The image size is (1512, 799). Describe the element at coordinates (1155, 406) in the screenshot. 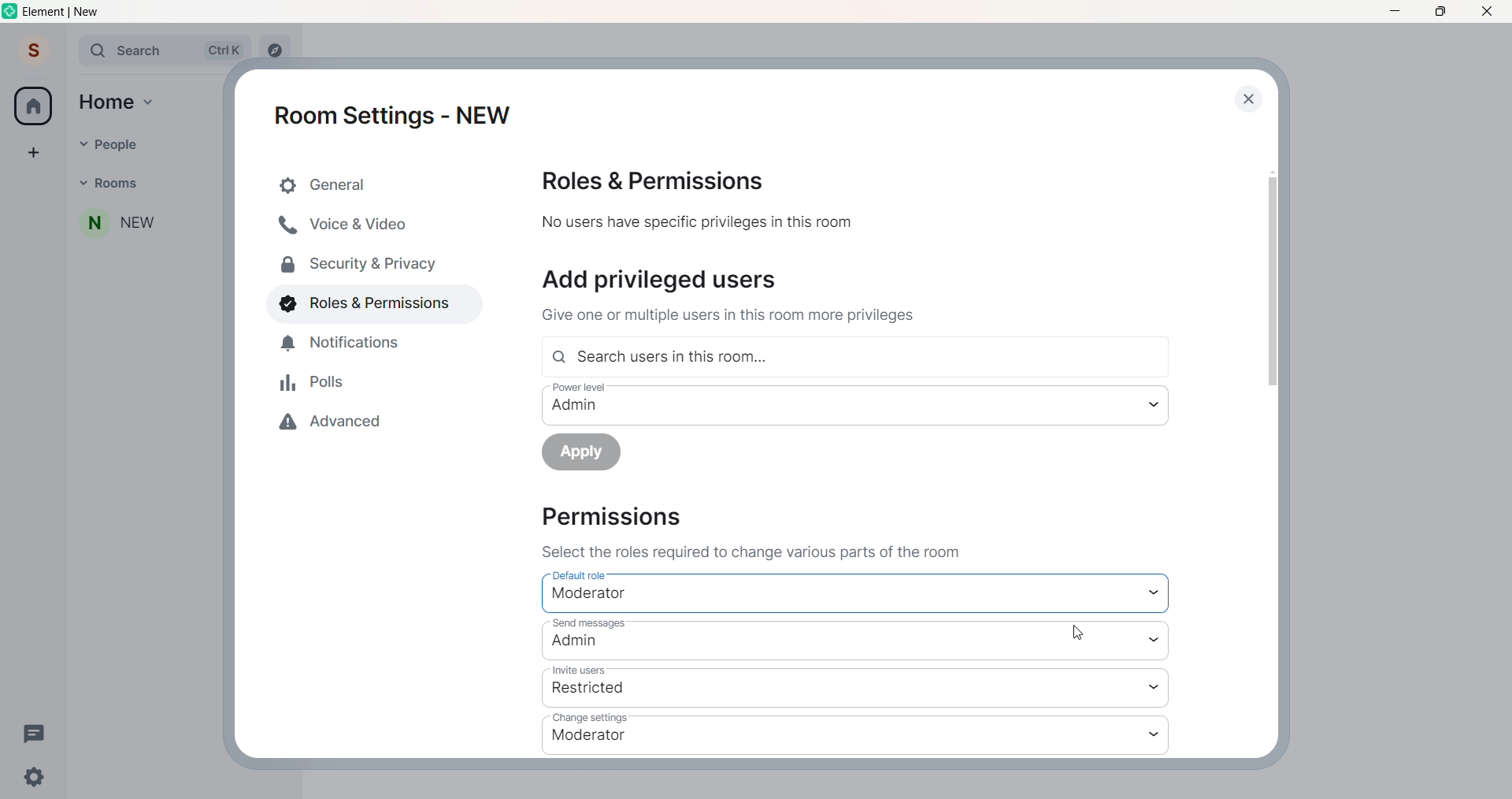

I see `power level dropdown` at that location.